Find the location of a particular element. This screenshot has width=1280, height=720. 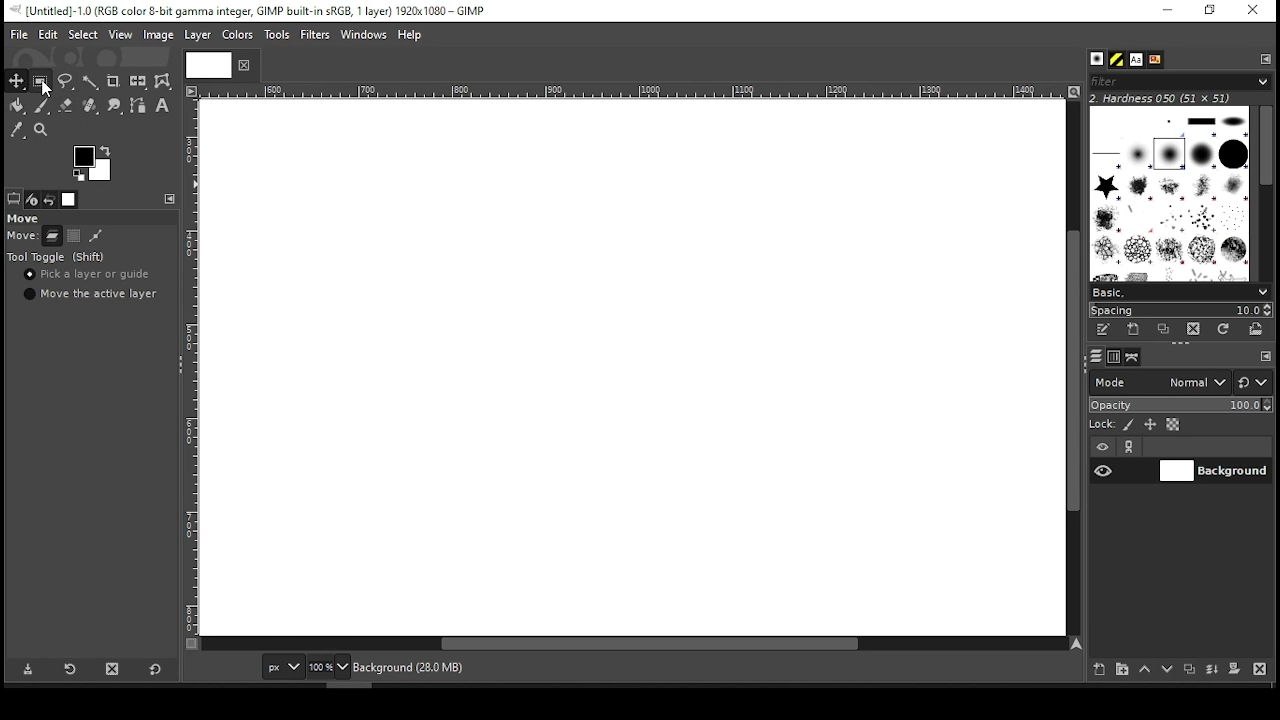

color picker tool is located at coordinates (16, 132).